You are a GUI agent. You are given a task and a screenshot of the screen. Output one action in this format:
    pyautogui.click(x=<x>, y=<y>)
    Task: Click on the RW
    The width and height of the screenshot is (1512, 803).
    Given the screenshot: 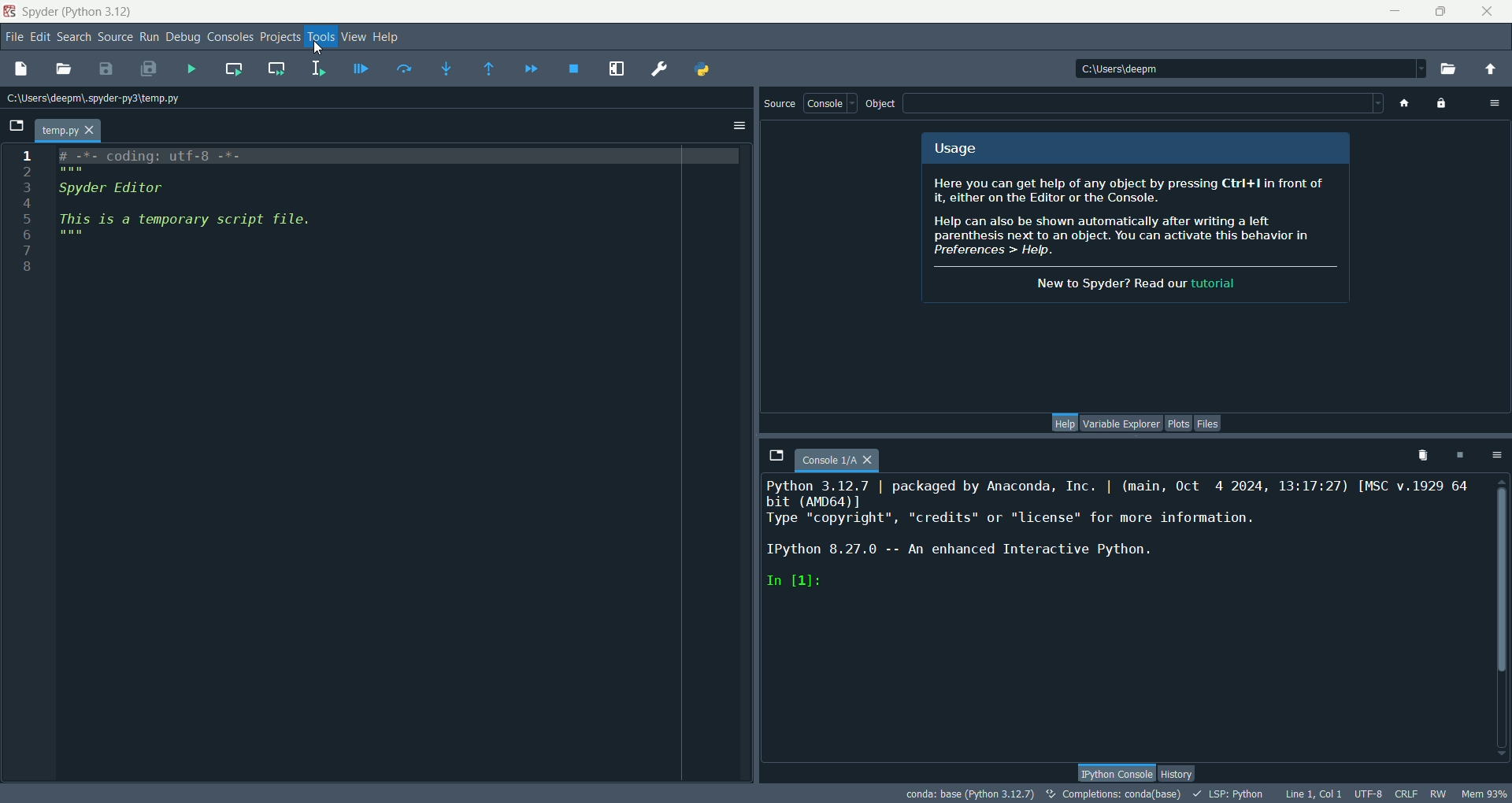 What is the action you would take?
    pyautogui.click(x=1438, y=795)
    